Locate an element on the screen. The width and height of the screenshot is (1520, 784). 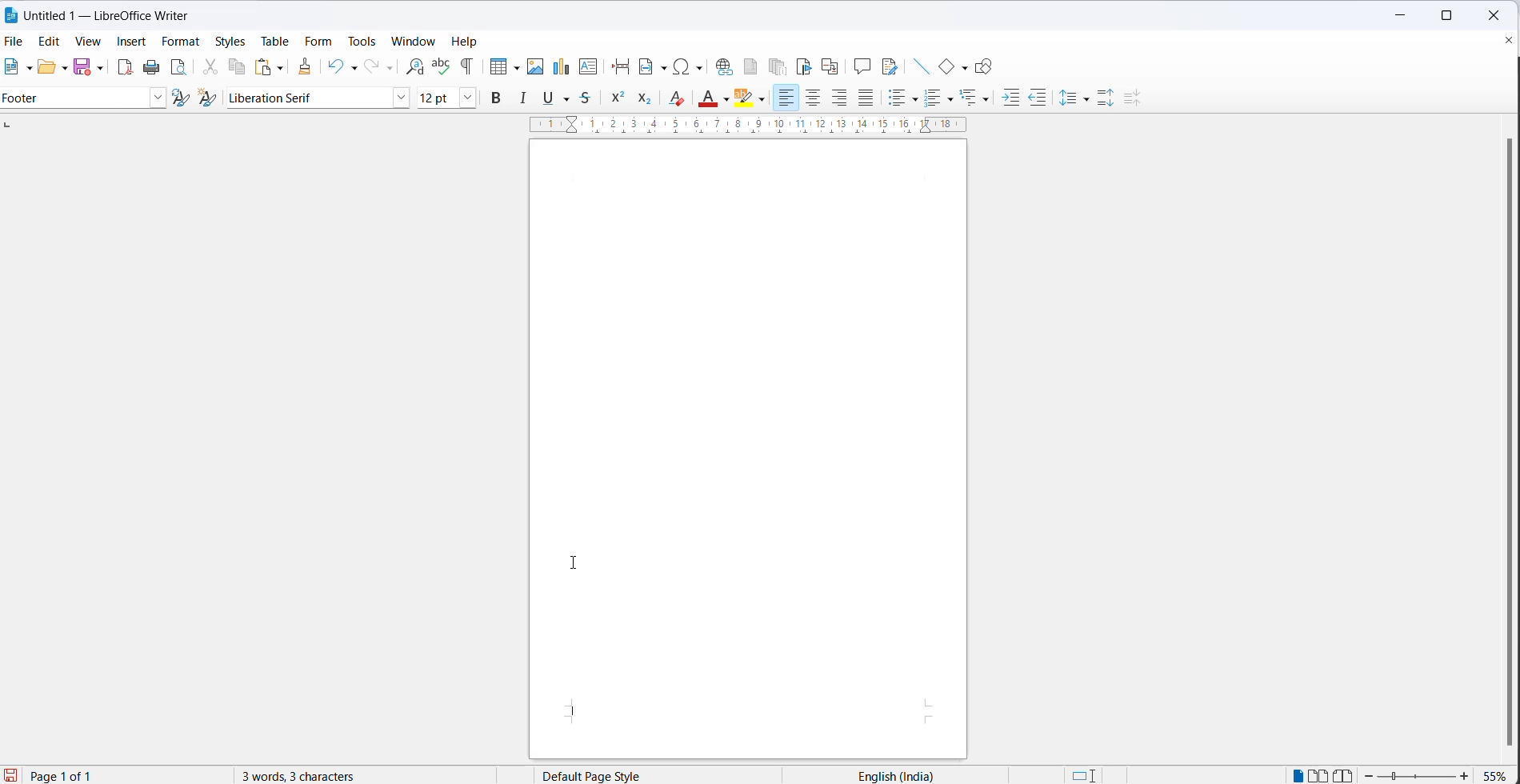
font name is located at coordinates (308, 98).